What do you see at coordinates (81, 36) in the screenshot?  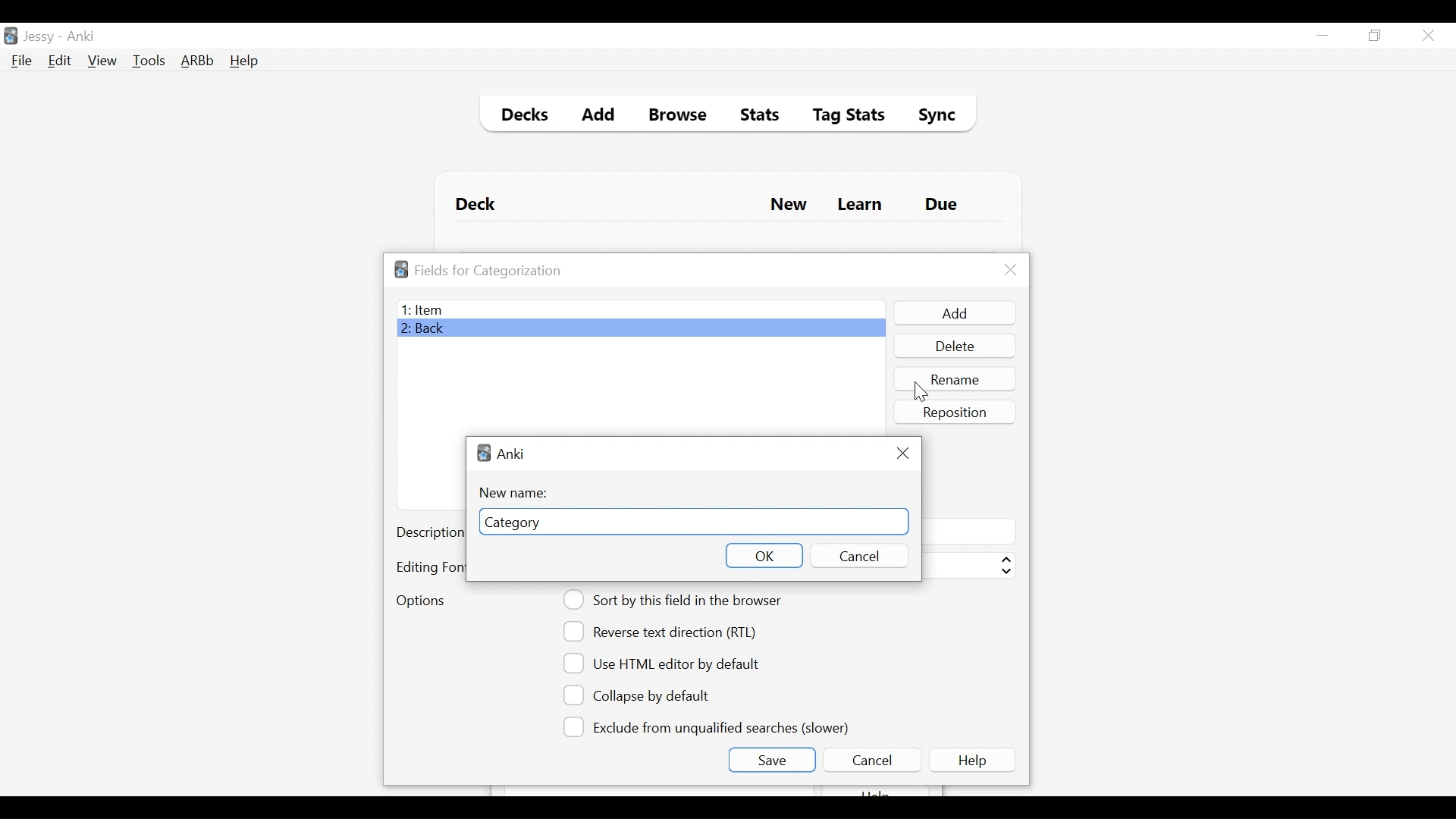 I see `Anki` at bounding box center [81, 36].